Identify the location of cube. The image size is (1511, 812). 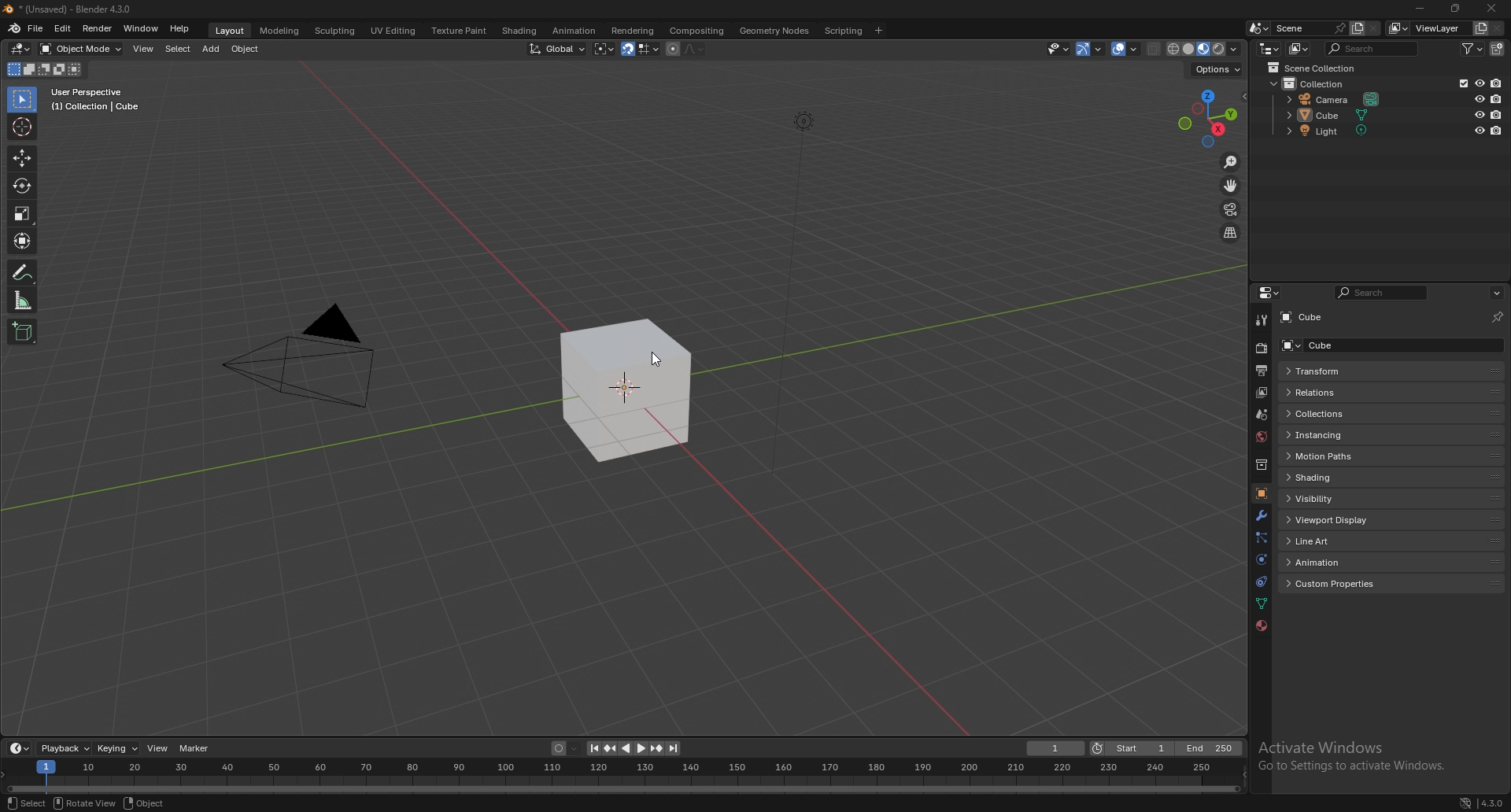
(1332, 317).